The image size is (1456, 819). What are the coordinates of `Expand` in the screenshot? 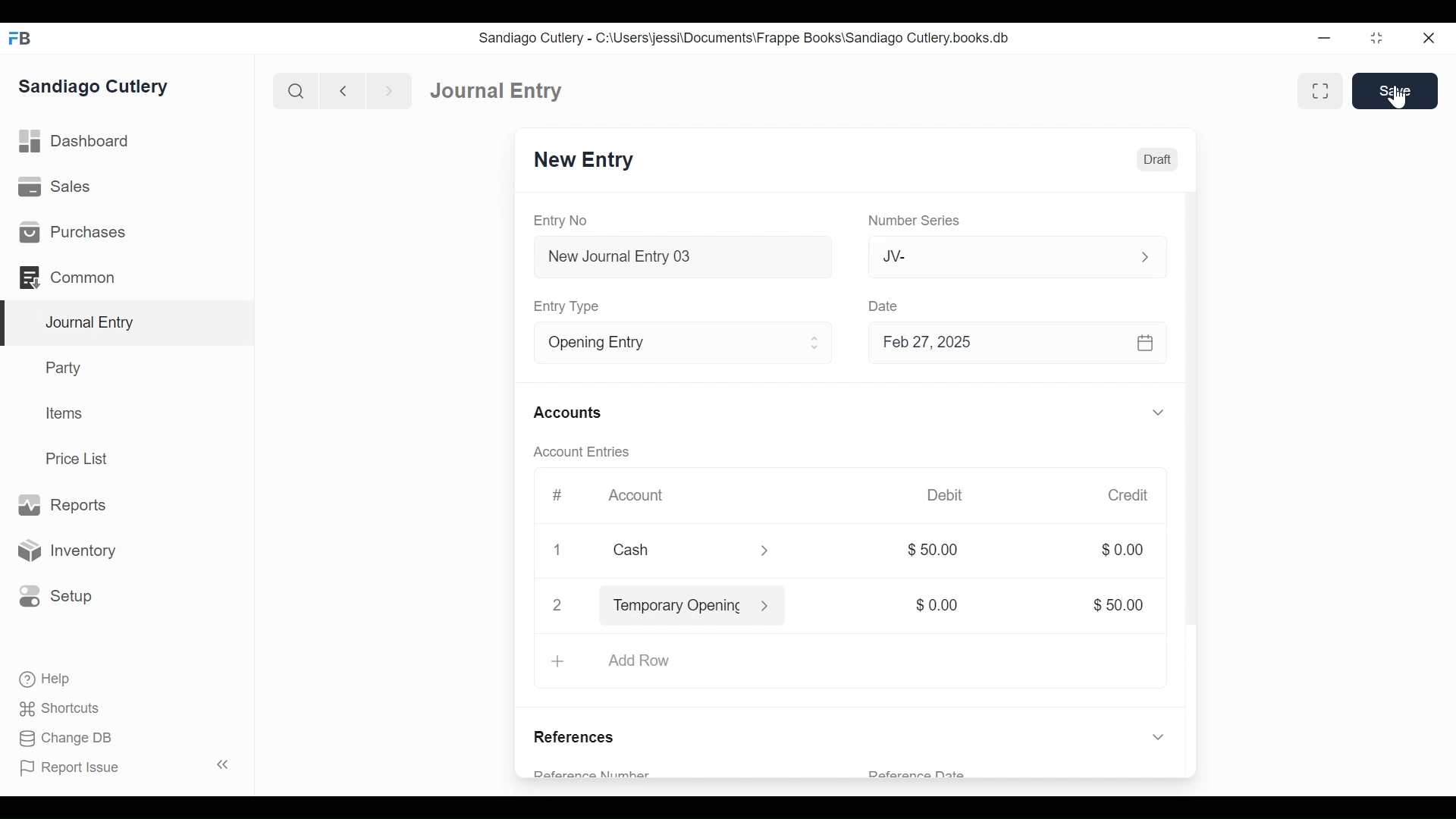 It's located at (1156, 737).